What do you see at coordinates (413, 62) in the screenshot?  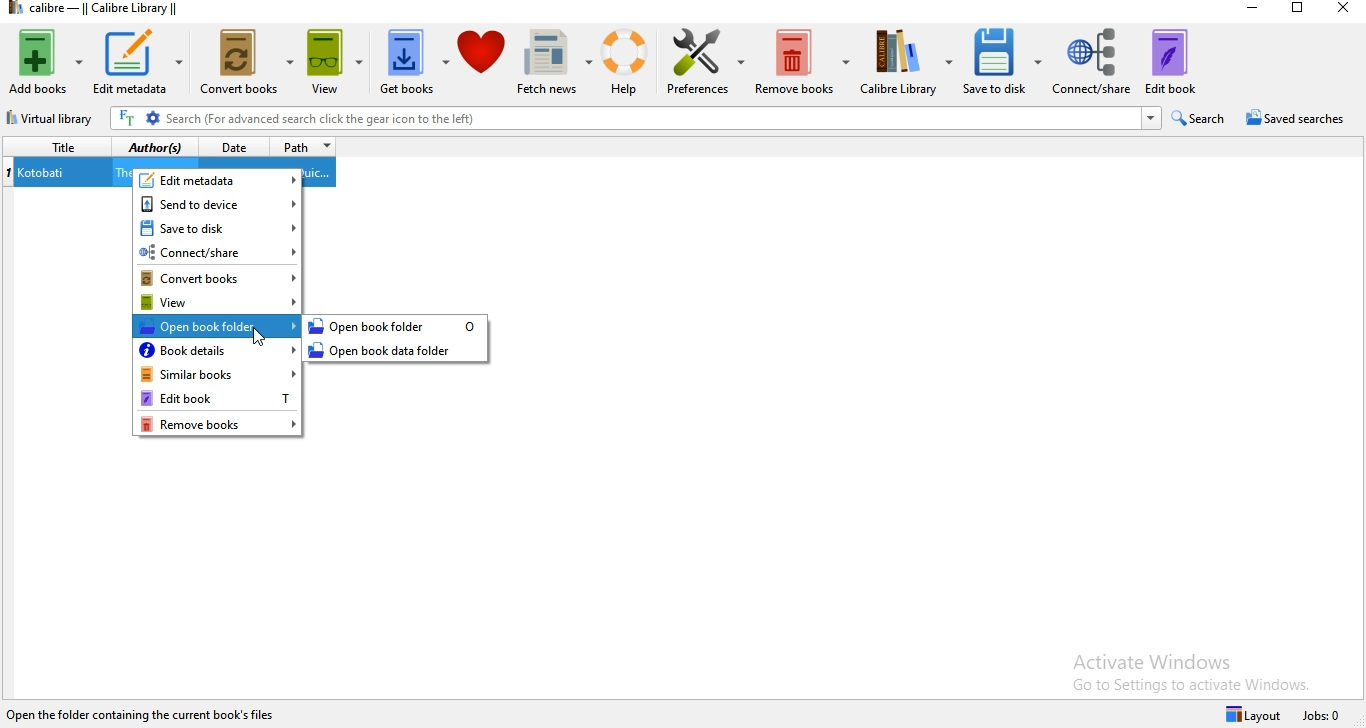 I see `get books` at bounding box center [413, 62].